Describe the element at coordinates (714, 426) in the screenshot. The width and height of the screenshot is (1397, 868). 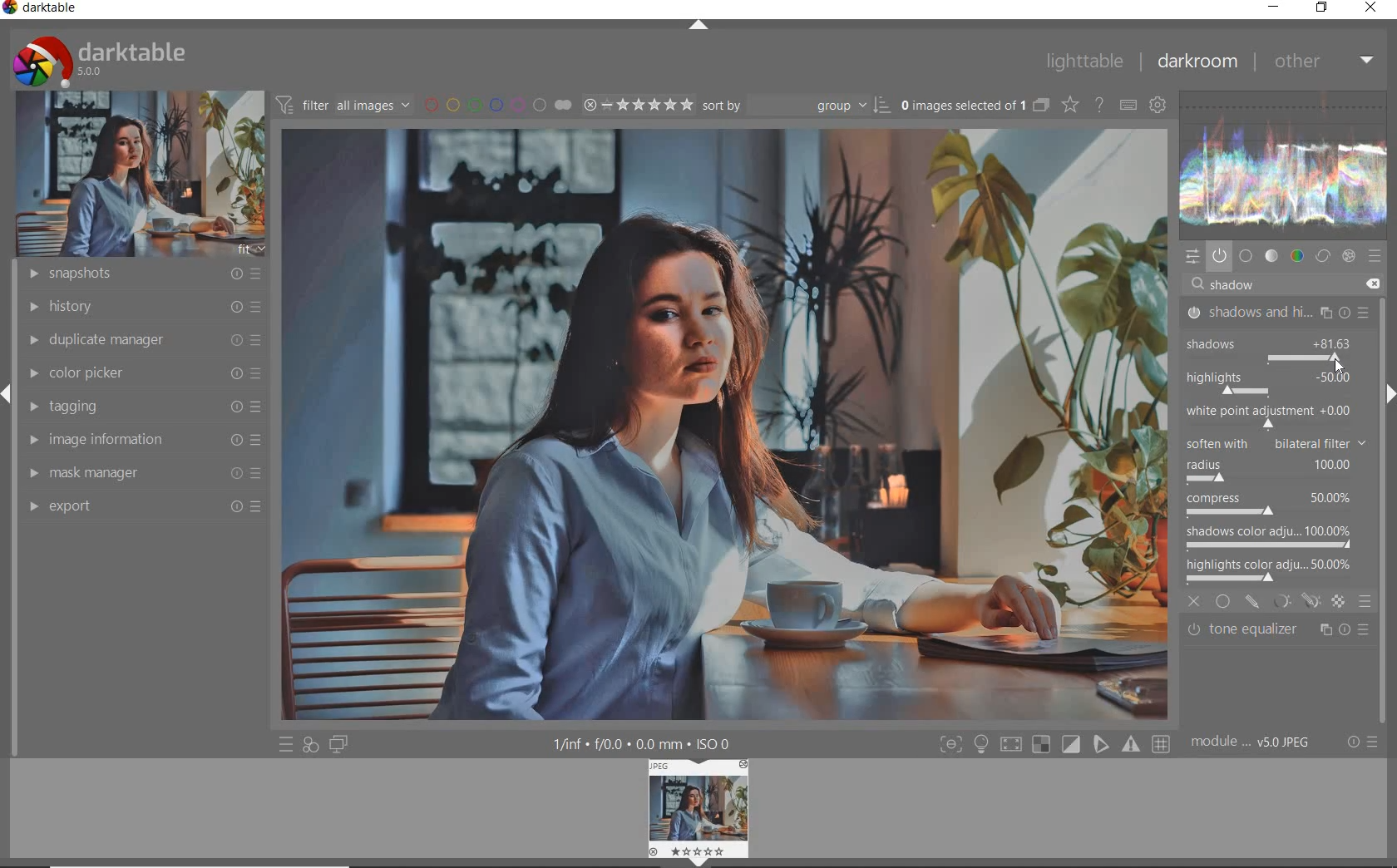
I see `selected image` at that location.